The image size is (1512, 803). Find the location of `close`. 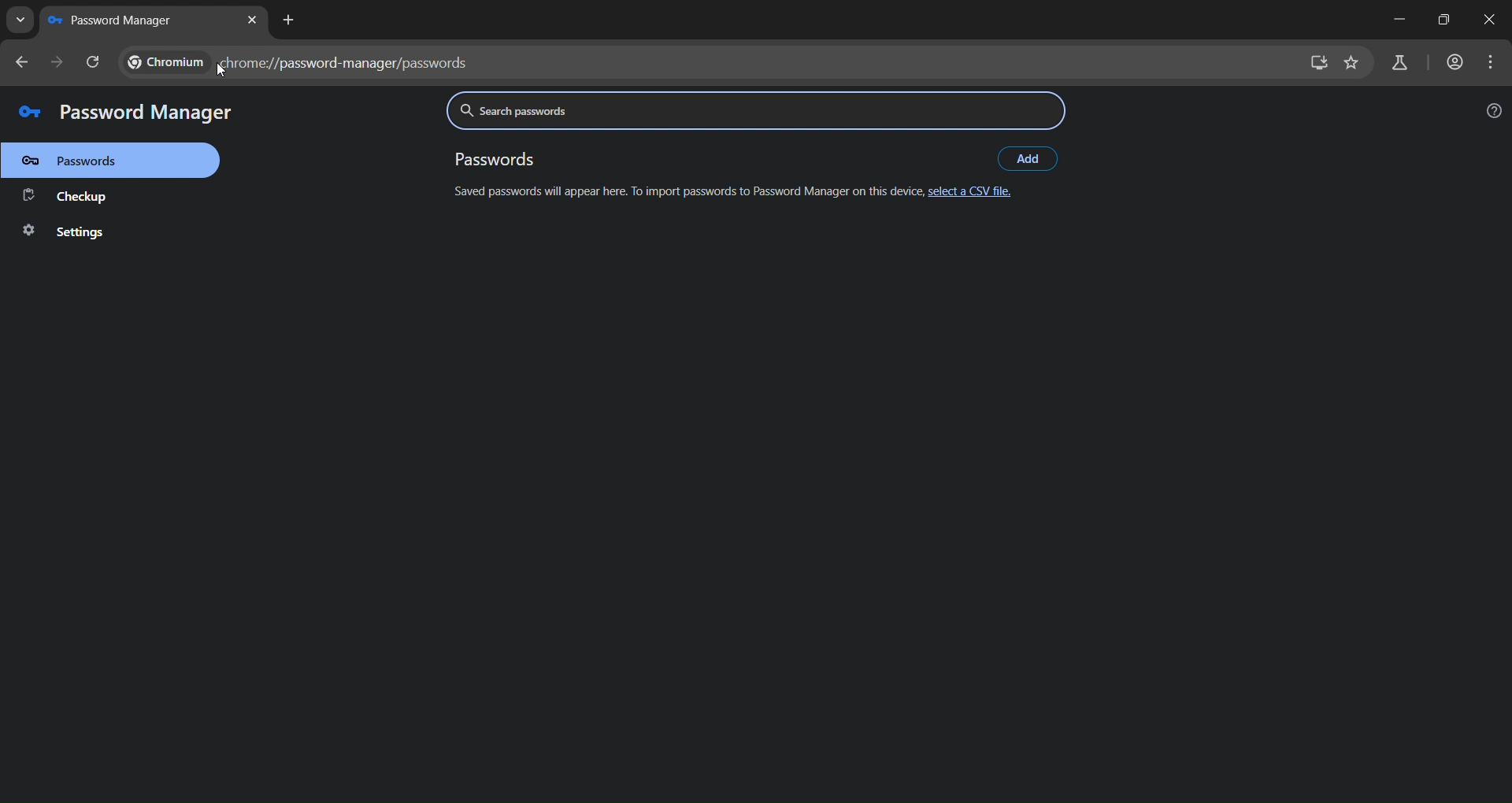

close is located at coordinates (1490, 20).